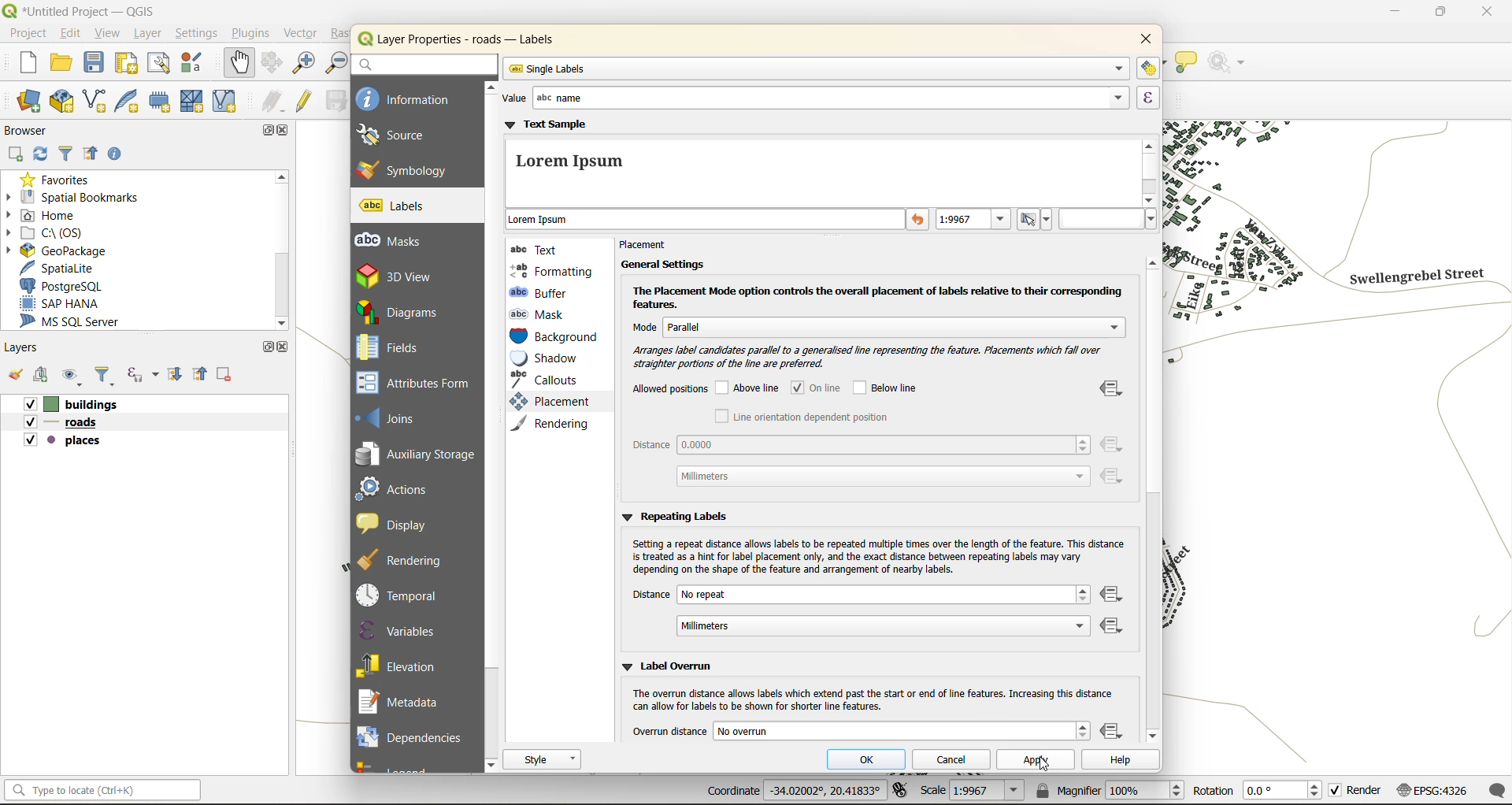 The image size is (1512, 805). Describe the element at coordinates (69, 284) in the screenshot. I see `postgresql` at that location.